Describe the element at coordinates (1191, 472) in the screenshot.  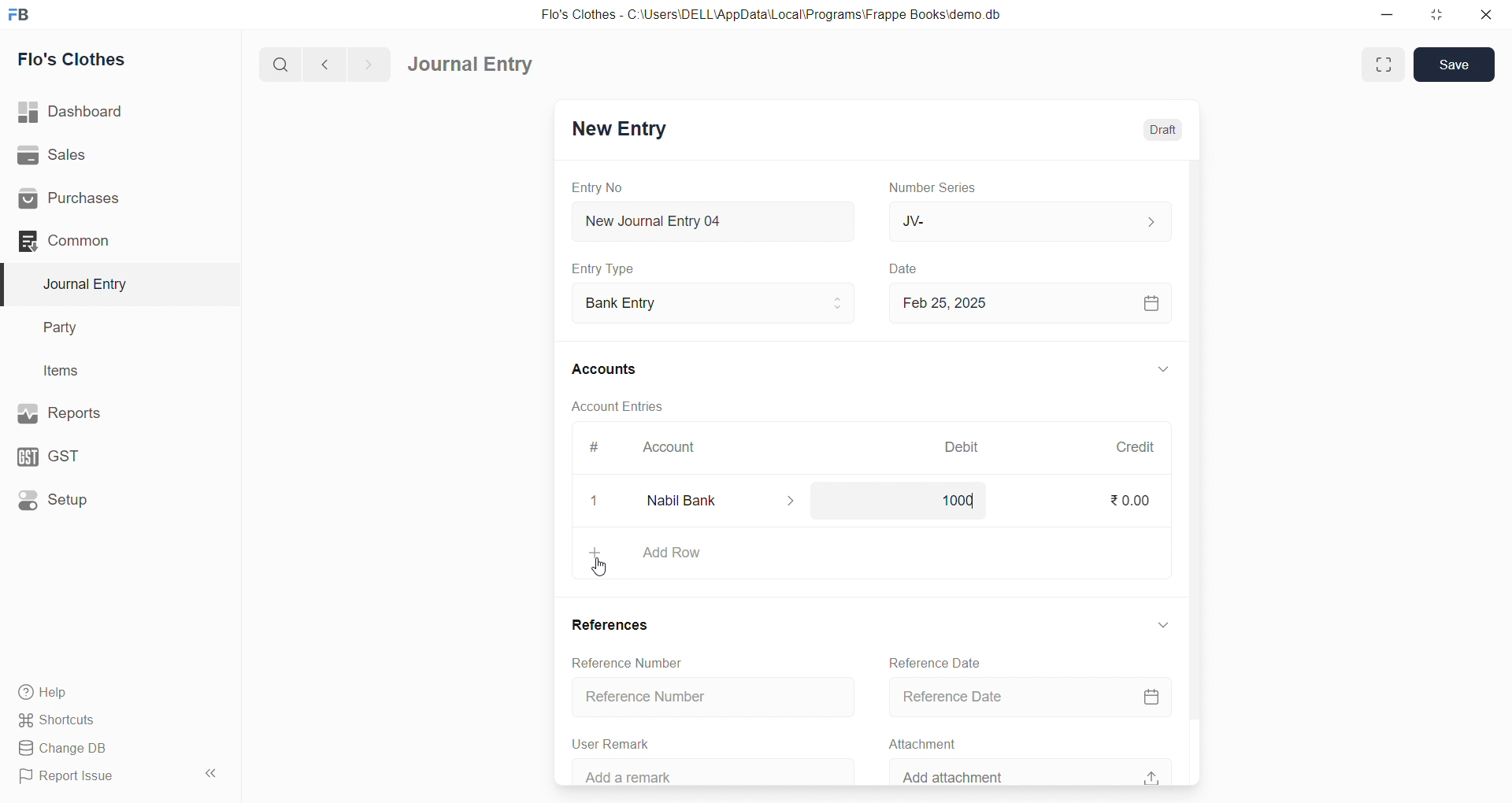
I see `Scroll bar` at that location.